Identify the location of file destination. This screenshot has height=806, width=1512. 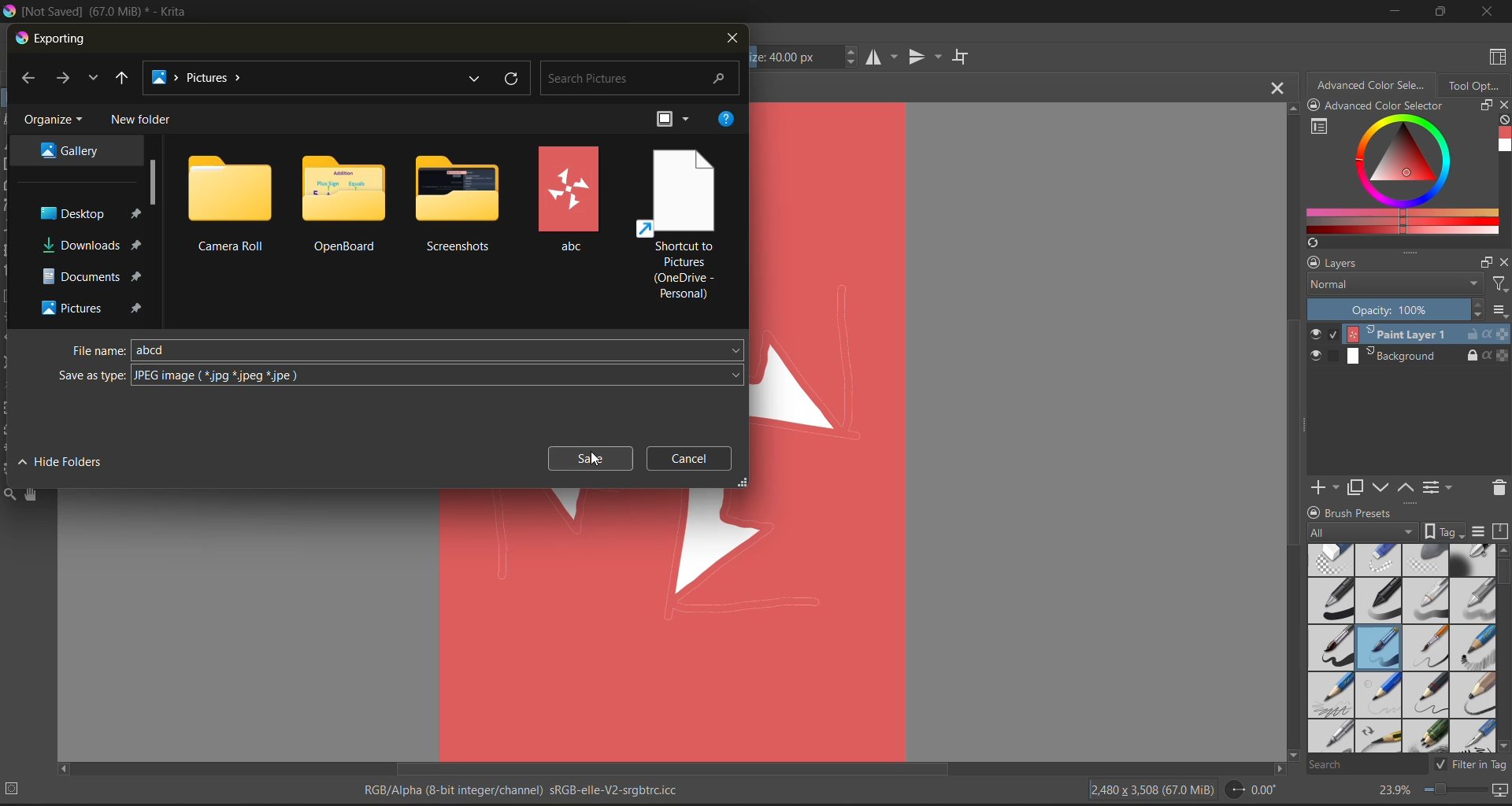
(92, 246).